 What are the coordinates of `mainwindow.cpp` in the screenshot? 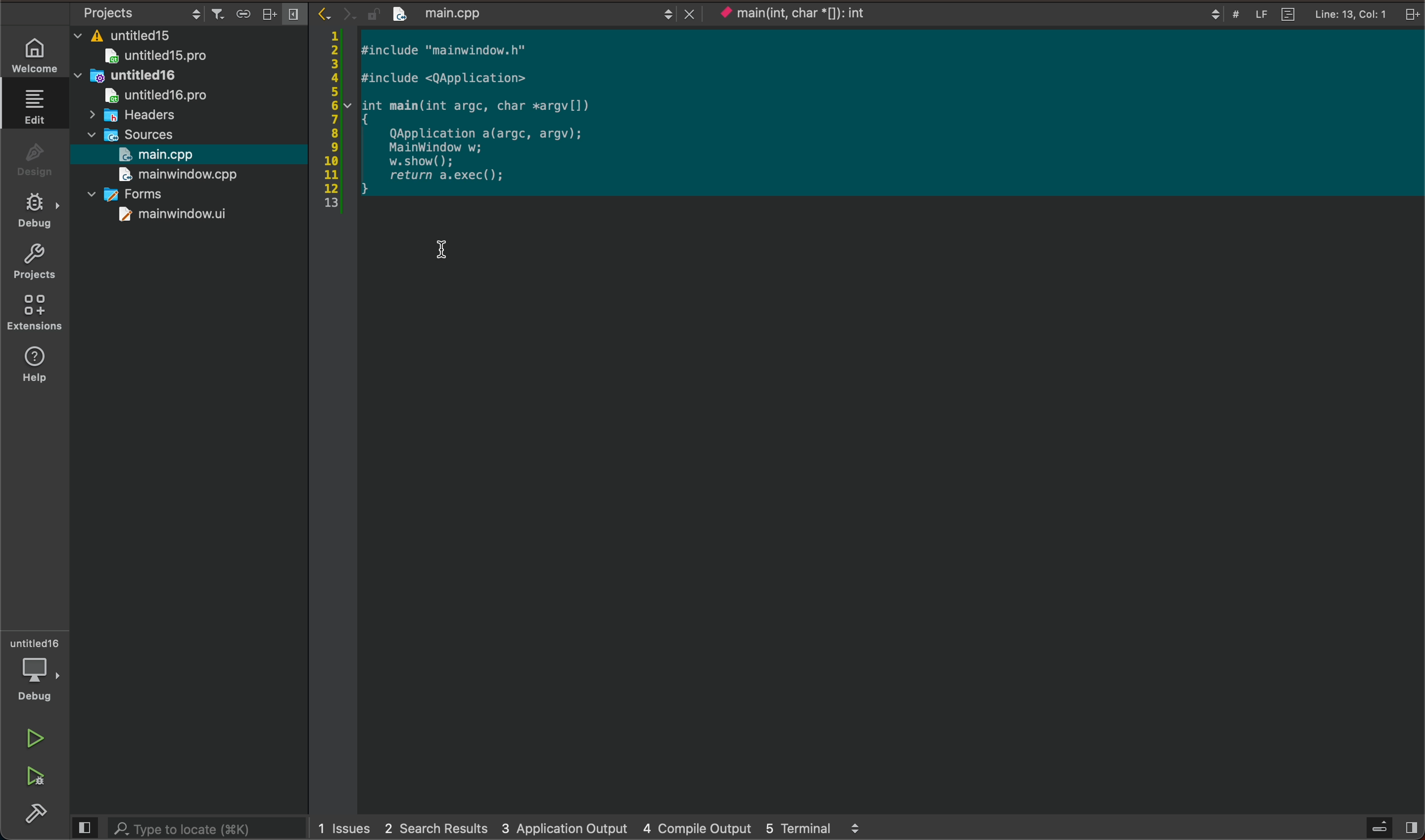 It's located at (177, 176).